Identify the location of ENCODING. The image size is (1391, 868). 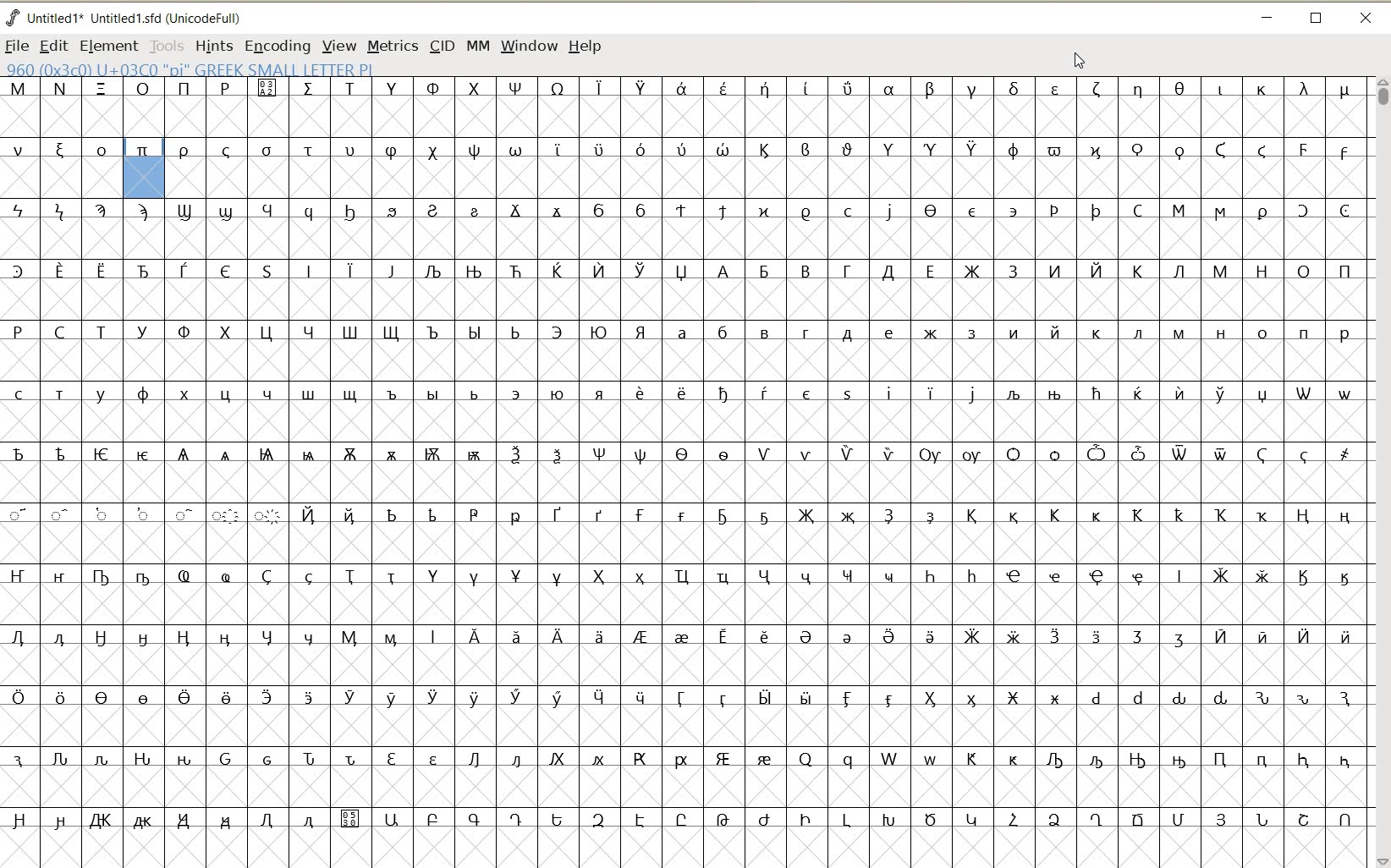
(278, 45).